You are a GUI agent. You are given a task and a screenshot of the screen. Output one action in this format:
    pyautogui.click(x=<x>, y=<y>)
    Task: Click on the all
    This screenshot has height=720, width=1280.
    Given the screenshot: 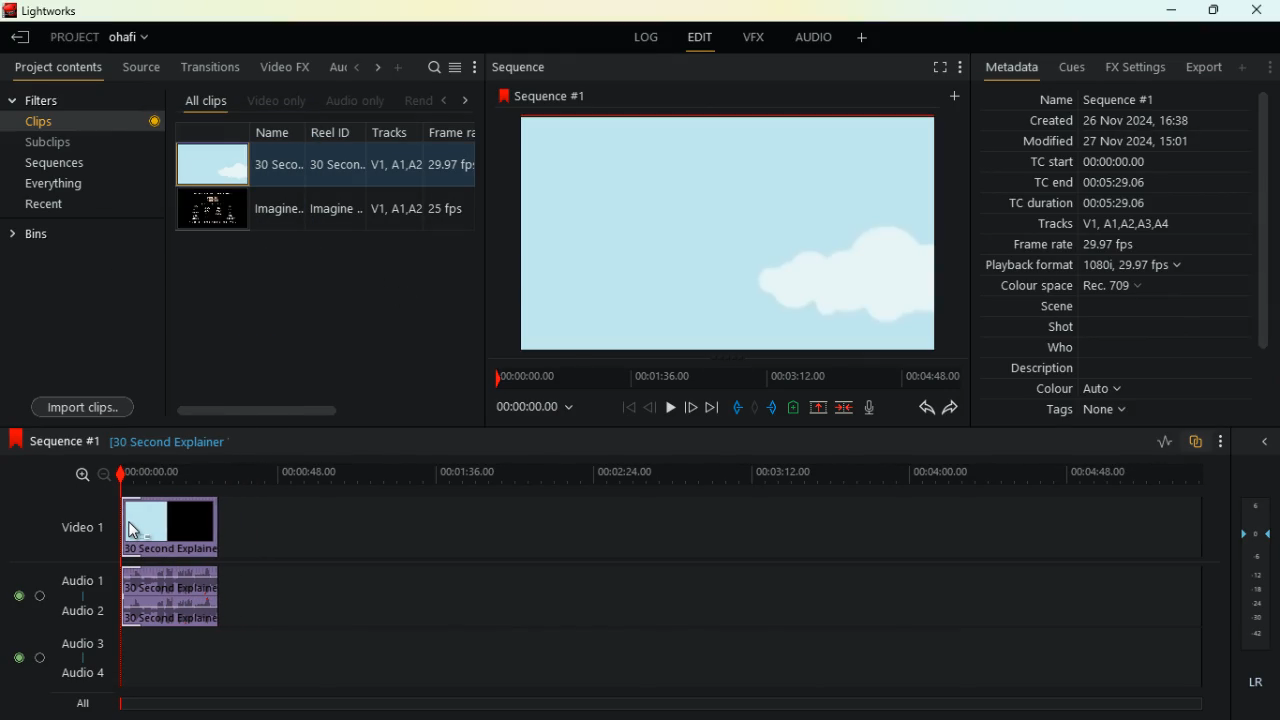 What is the action you would take?
    pyautogui.click(x=80, y=705)
    